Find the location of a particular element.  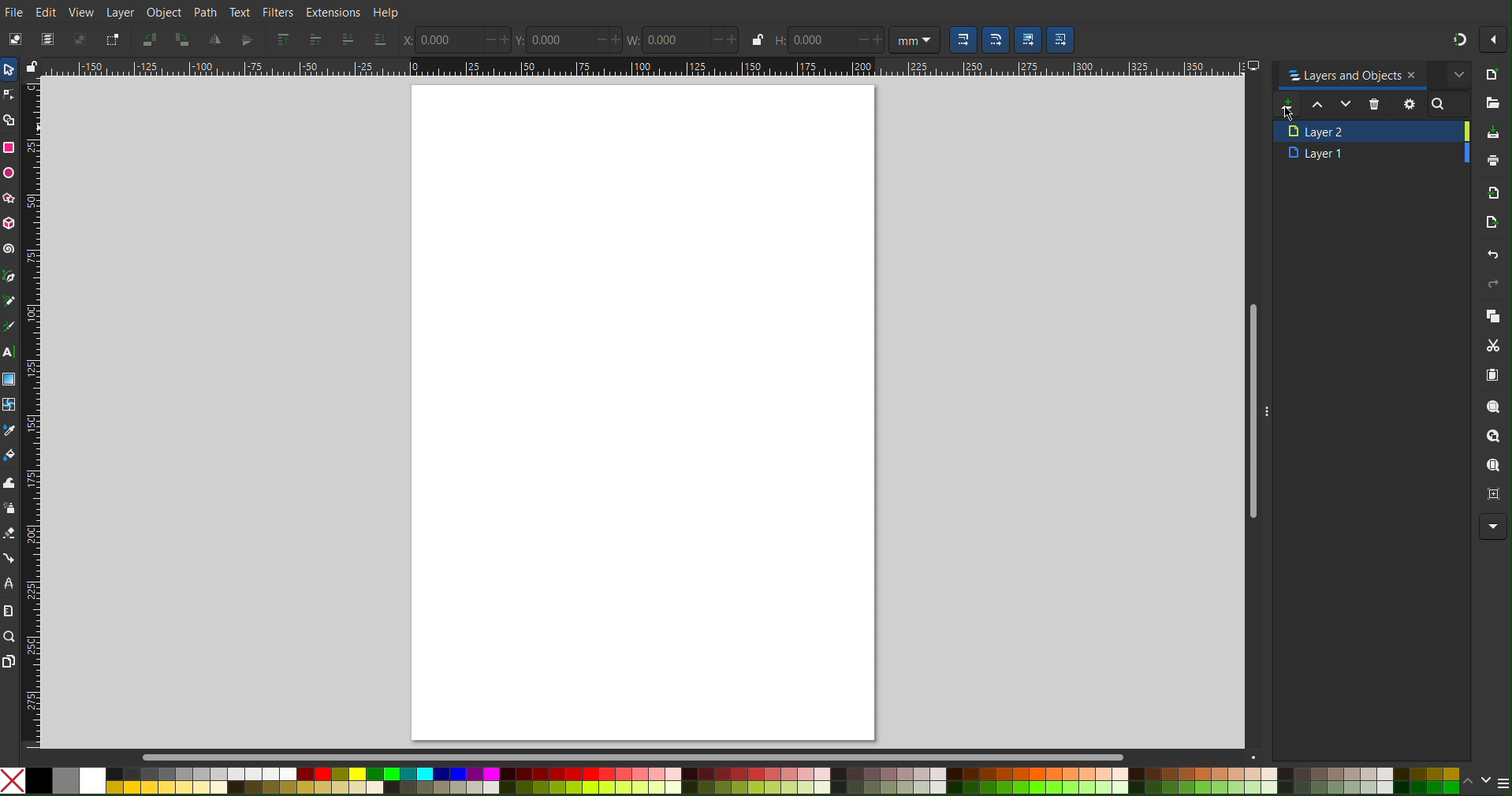

More Options is located at coordinates (1494, 526).